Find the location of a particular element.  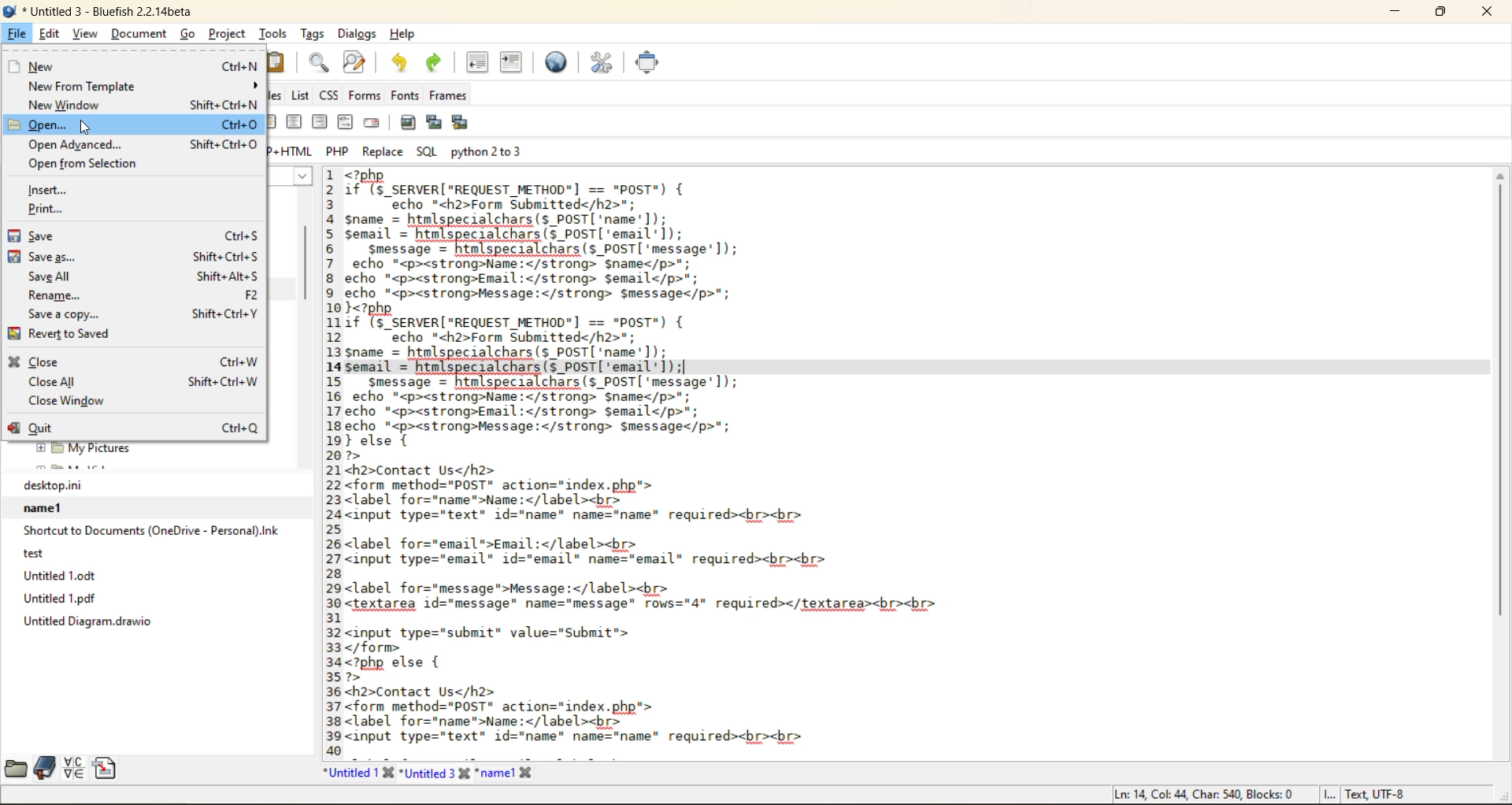

python 2 to 3 is located at coordinates (494, 151).